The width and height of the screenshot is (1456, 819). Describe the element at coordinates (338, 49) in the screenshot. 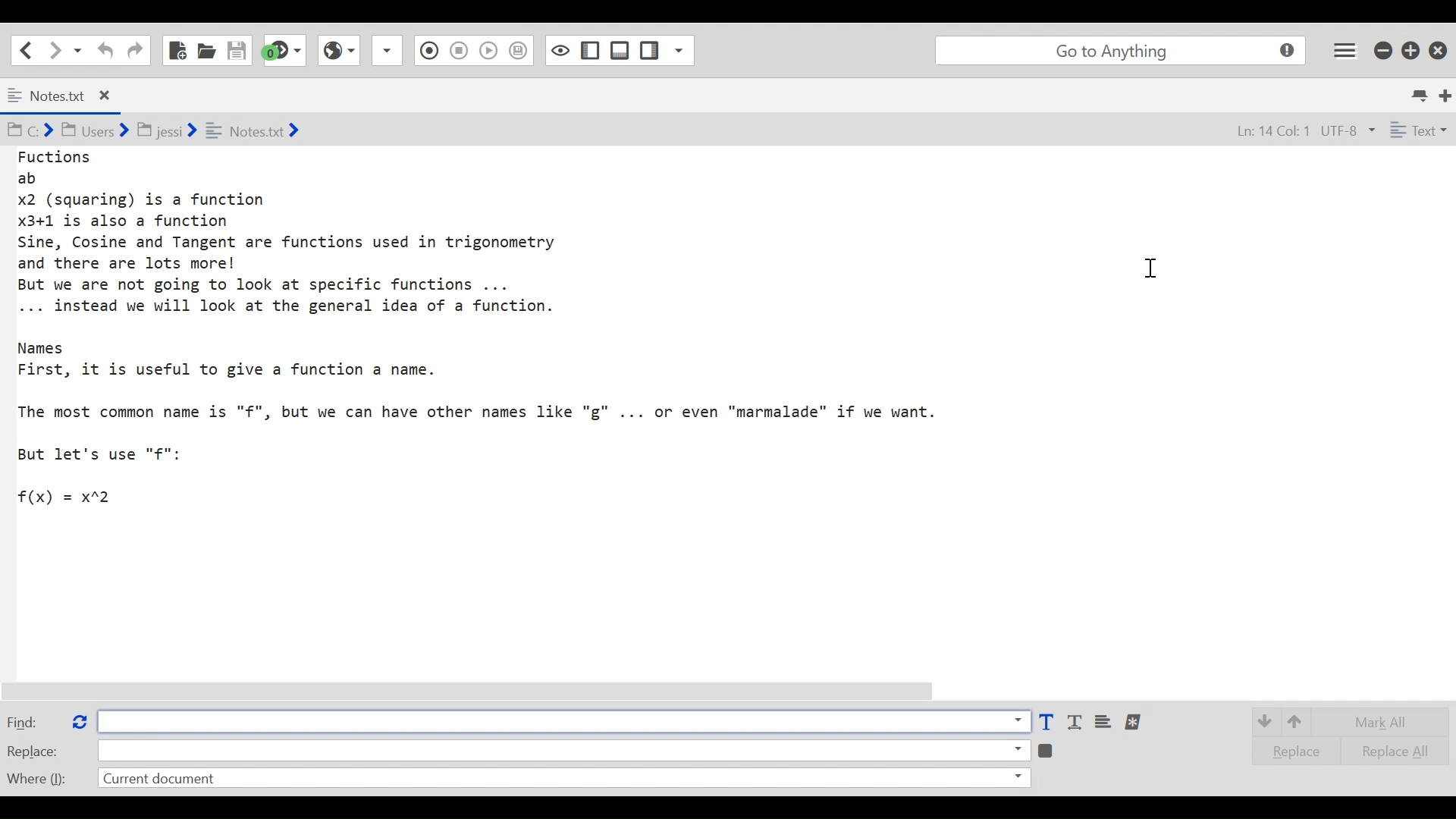

I see `Play Last Macro` at that location.